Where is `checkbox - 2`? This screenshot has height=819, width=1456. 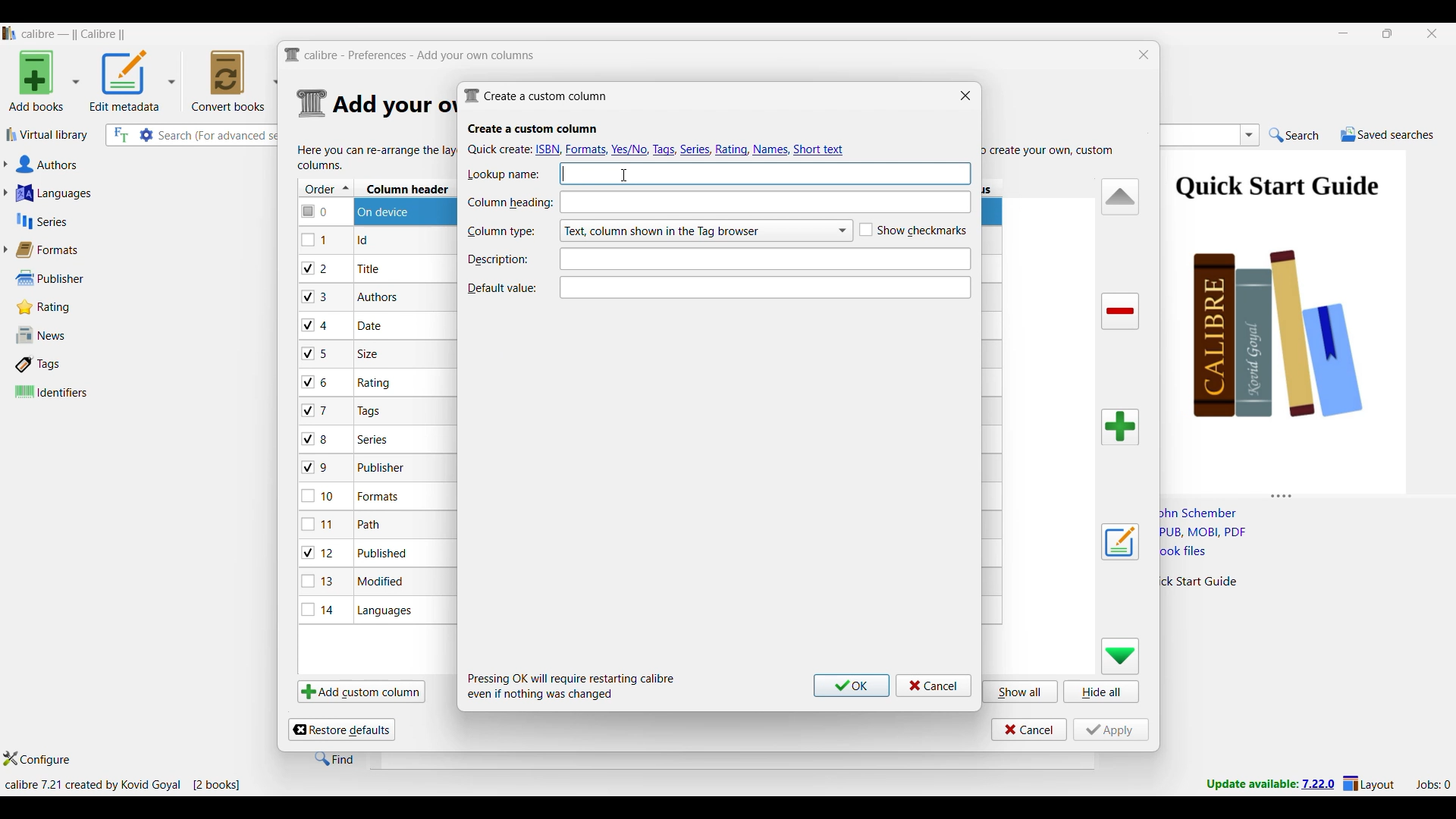
checkbox - 2 is located at coordinates (315, 268).